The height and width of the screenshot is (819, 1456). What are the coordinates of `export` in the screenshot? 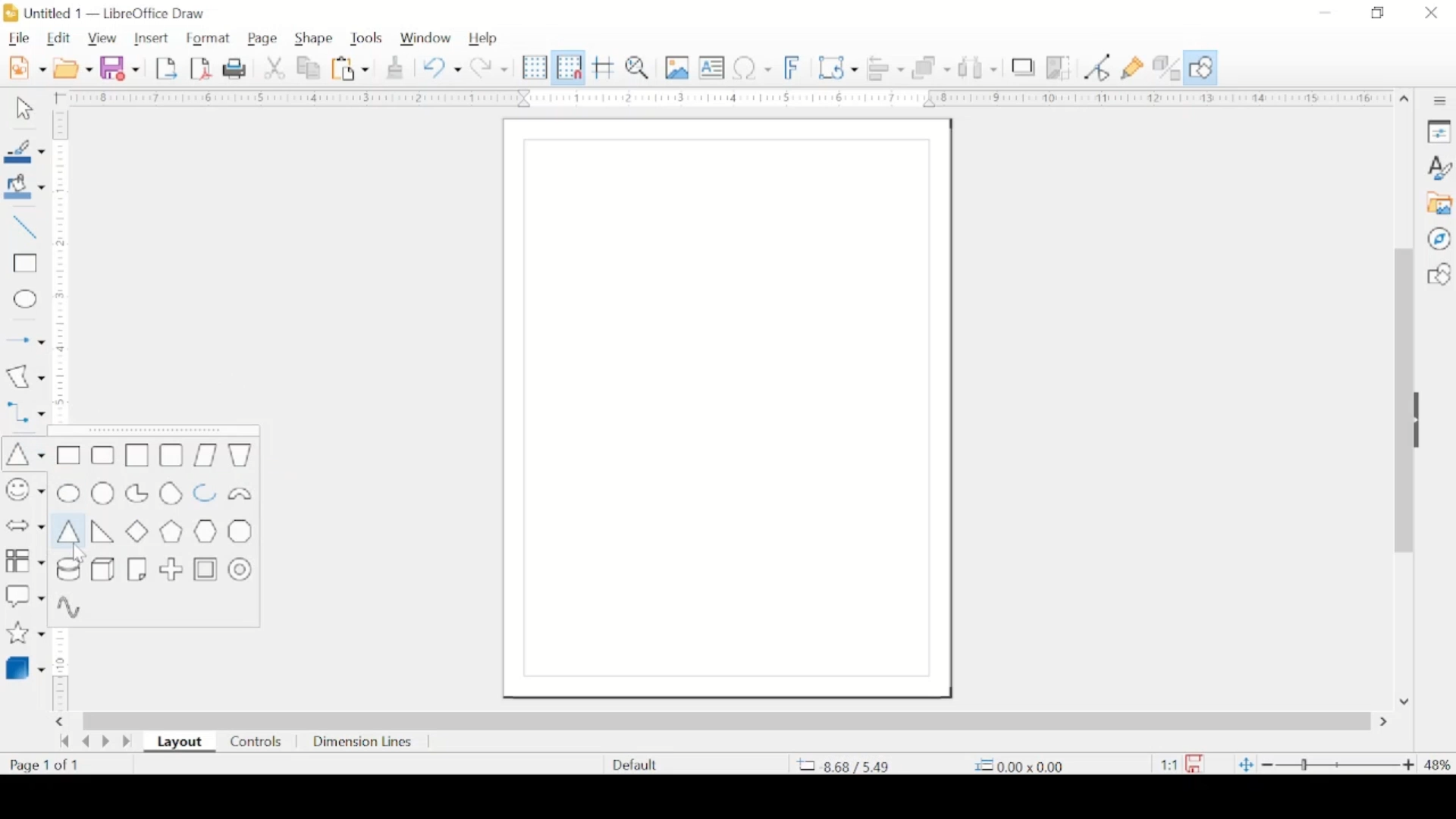 It's located at (166, 68).